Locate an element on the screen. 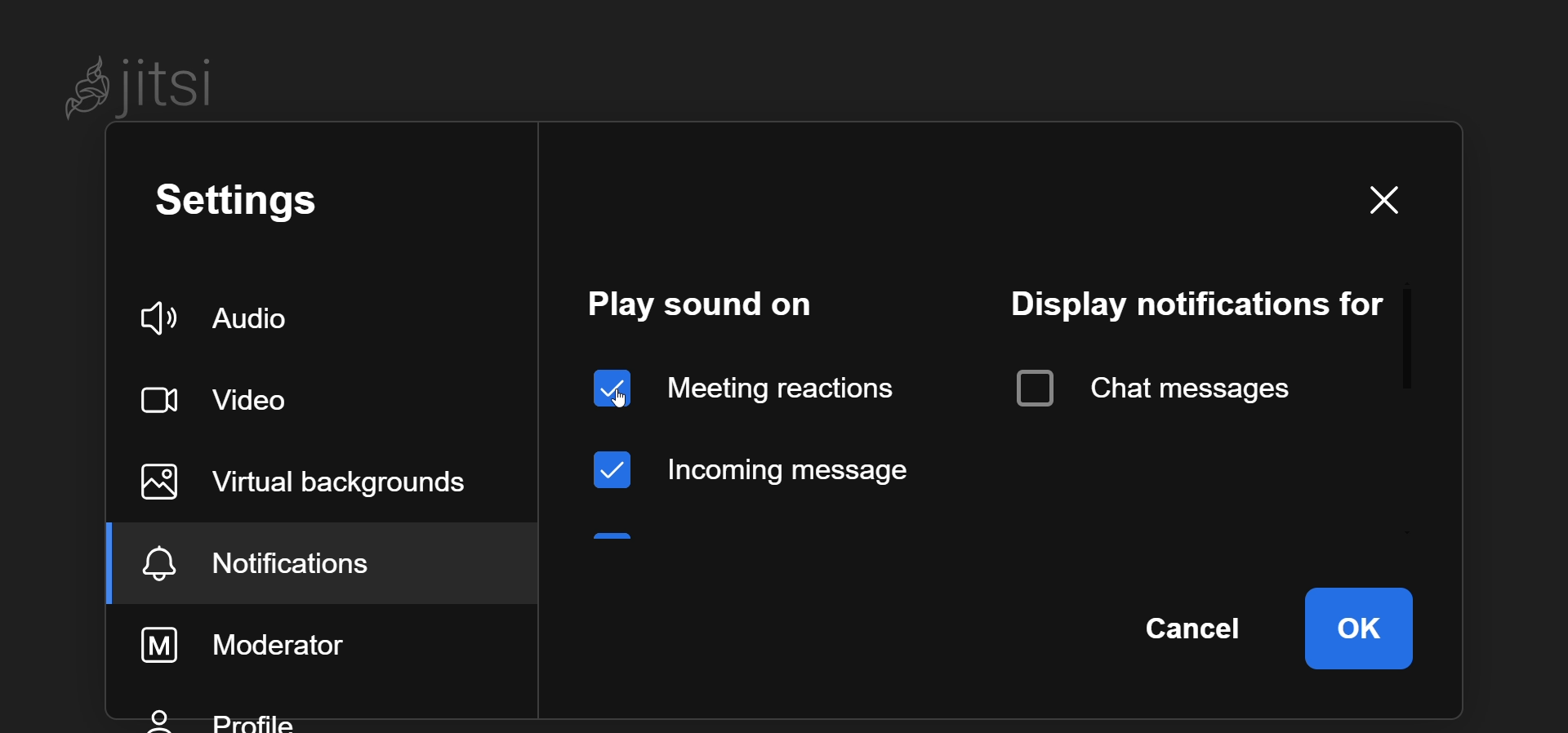  notification is located at coordinates (285, 562).